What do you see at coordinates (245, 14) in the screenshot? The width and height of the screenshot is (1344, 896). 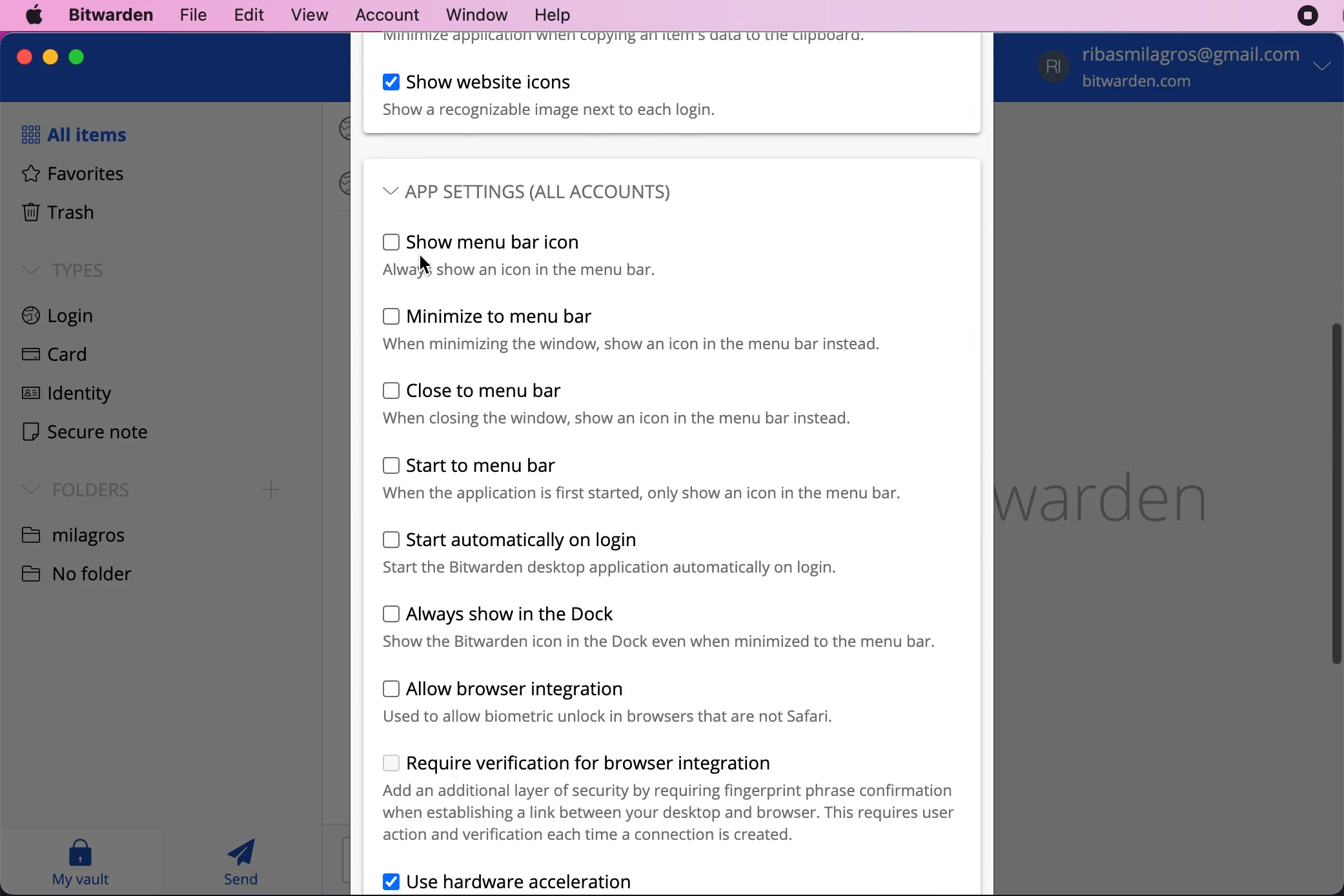 I see `edit` at bounding box center [245, 14].